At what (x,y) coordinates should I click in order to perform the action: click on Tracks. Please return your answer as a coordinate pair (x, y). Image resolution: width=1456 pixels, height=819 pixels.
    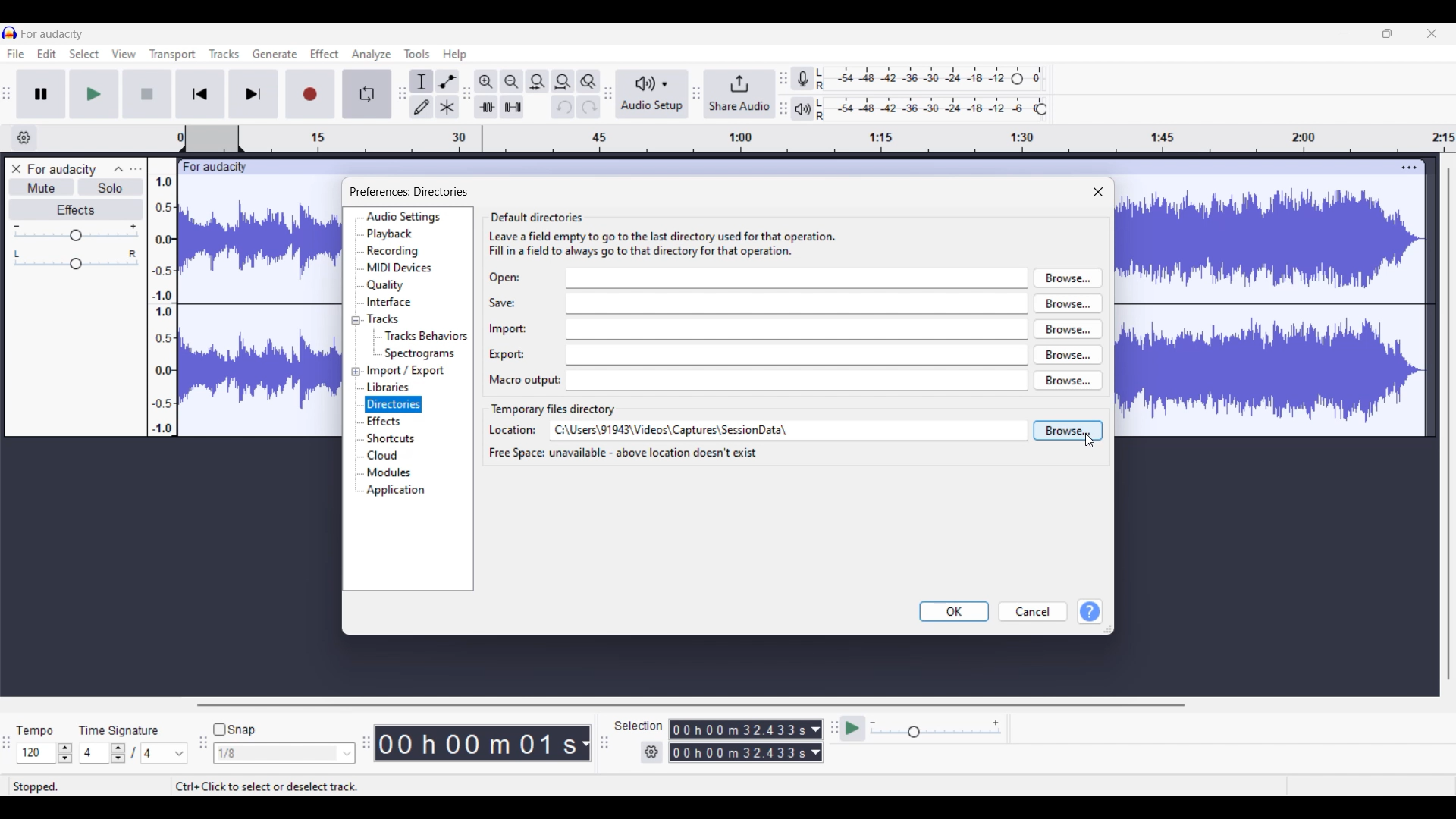
    Looking at the image, I should click on (384, 318).